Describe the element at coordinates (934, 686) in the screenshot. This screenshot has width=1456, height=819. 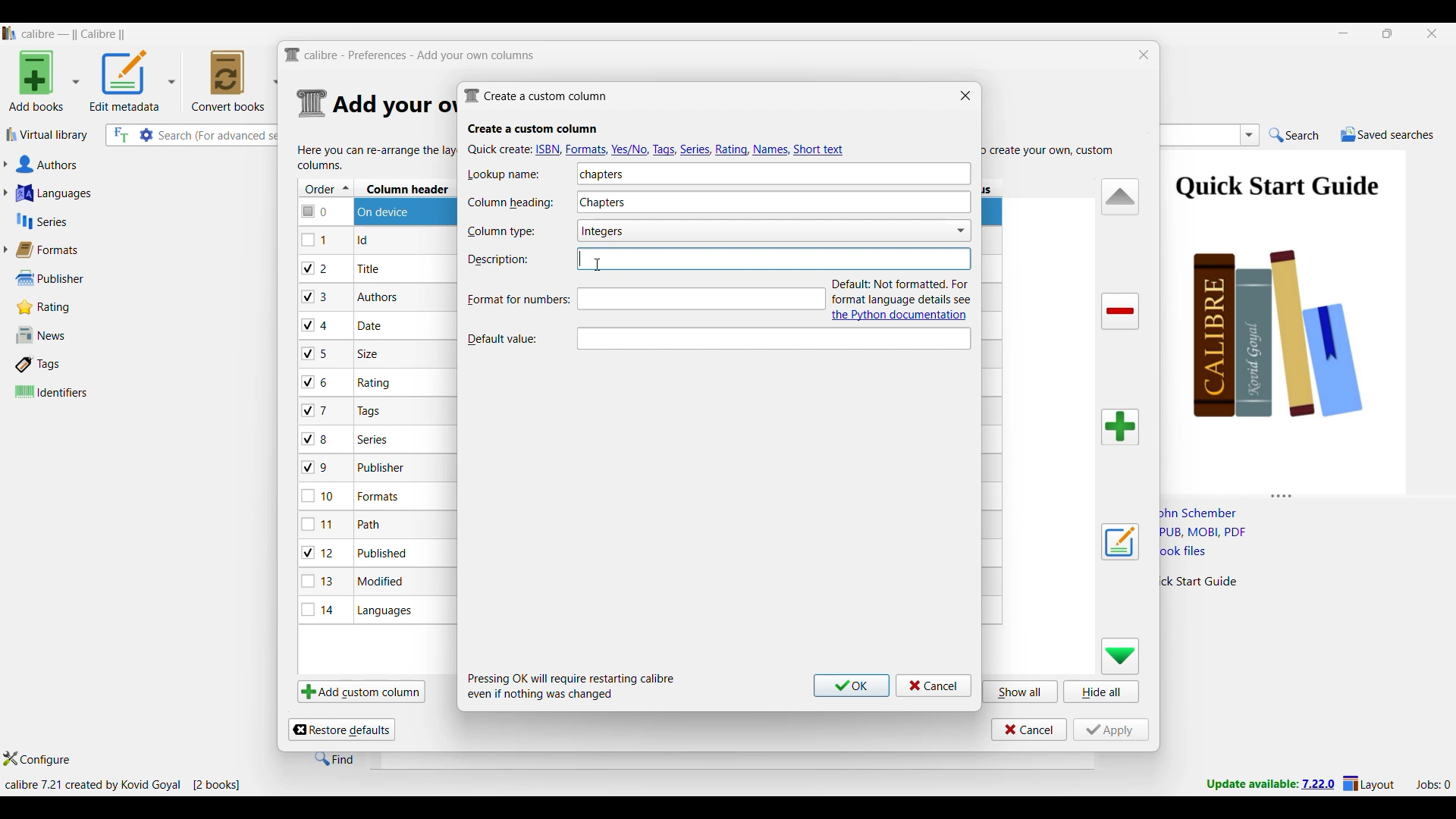
I see `Cancel` at that location.